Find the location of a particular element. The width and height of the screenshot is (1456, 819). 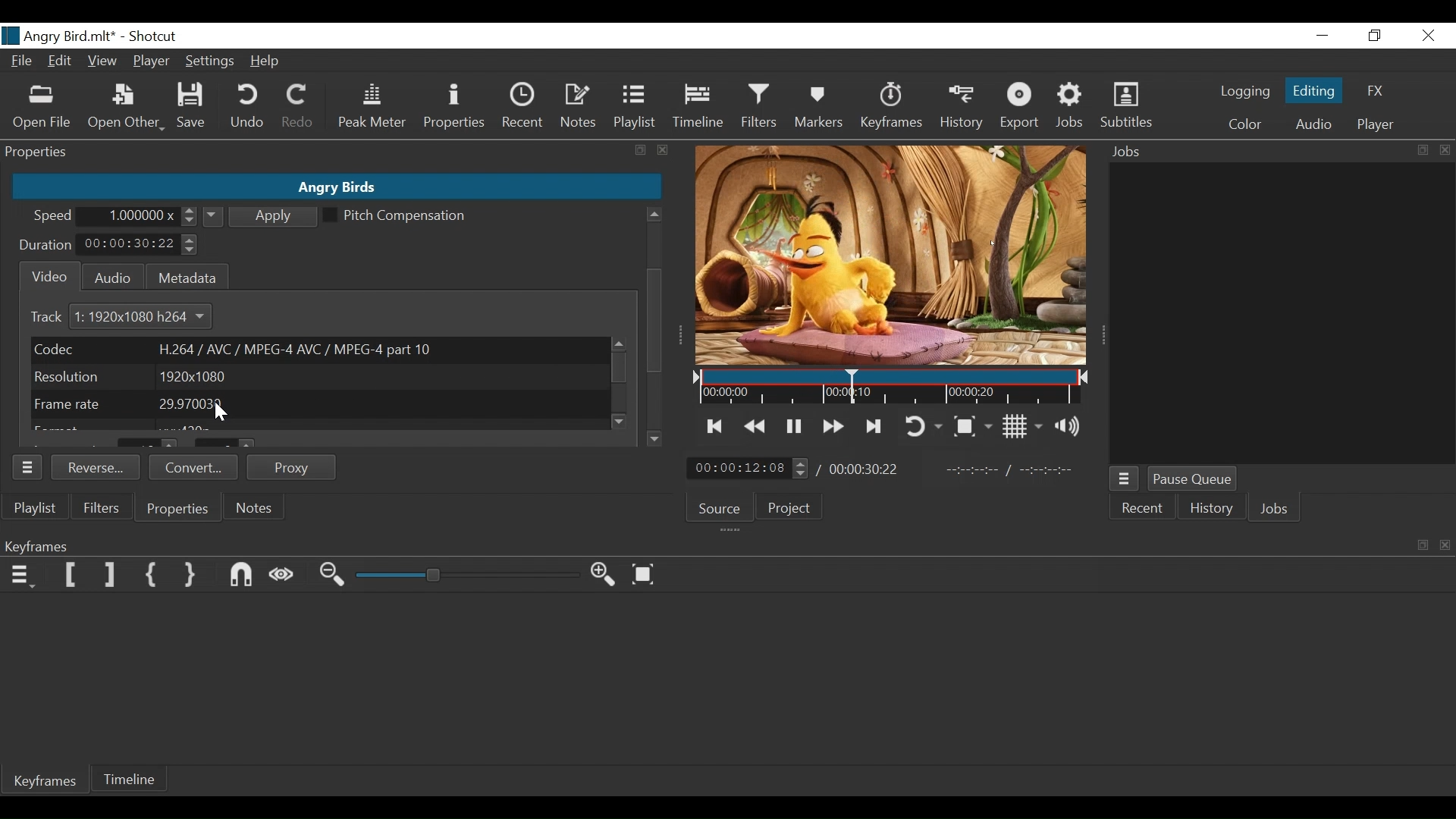

Zoom timeline in is located at coordinates (604, 574).